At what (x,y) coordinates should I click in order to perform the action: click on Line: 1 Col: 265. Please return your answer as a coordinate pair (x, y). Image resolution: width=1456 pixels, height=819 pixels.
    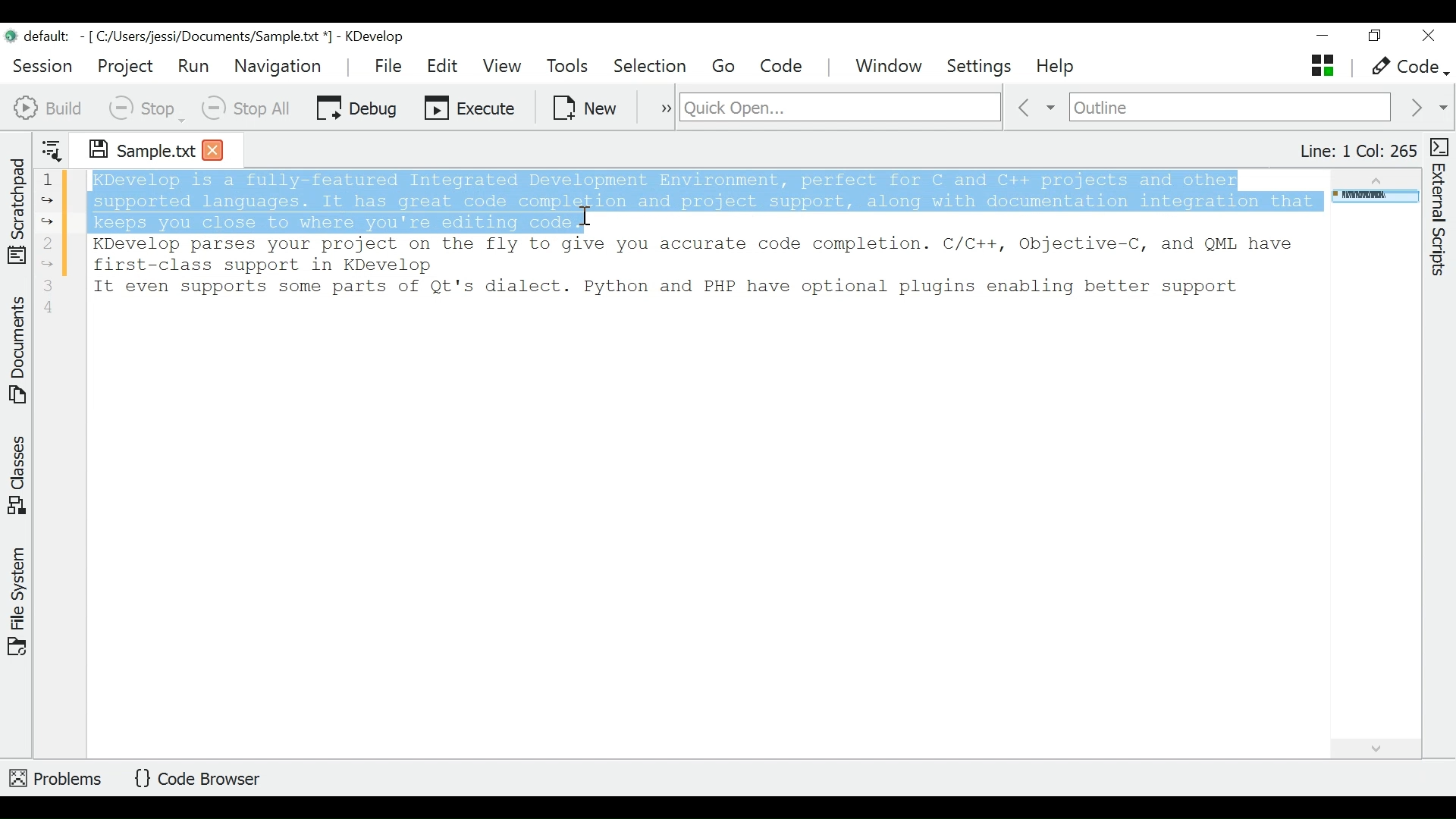
    Looking at the image, I should click on (1357, 151).